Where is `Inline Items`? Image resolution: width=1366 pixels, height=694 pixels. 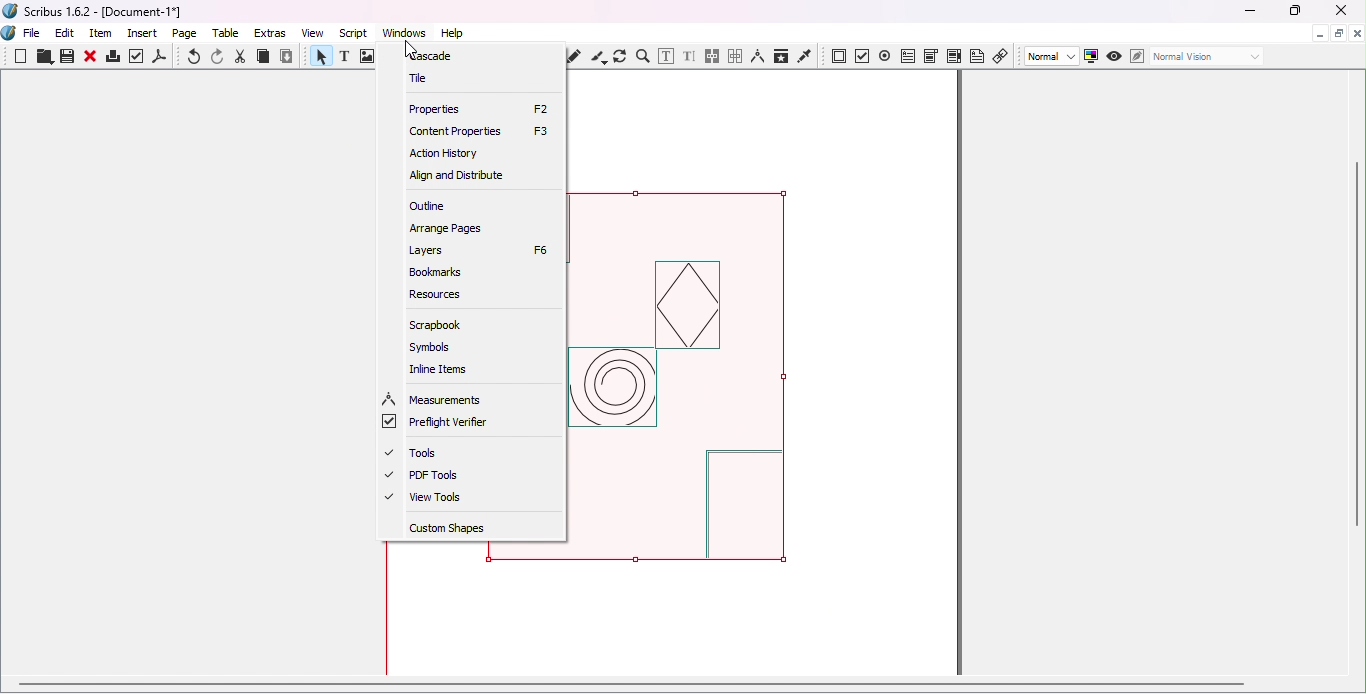
Inline Items is located at coordinates (443, 369).